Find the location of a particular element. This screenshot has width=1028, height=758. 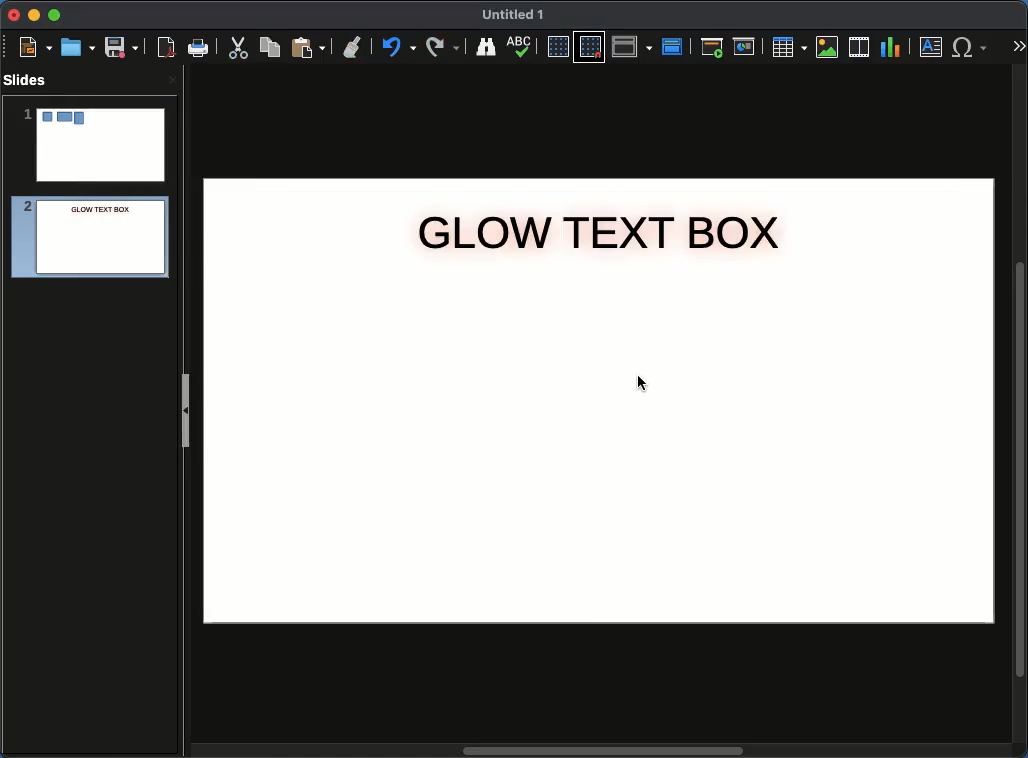

Deselected is located at coordinates (639, 381).